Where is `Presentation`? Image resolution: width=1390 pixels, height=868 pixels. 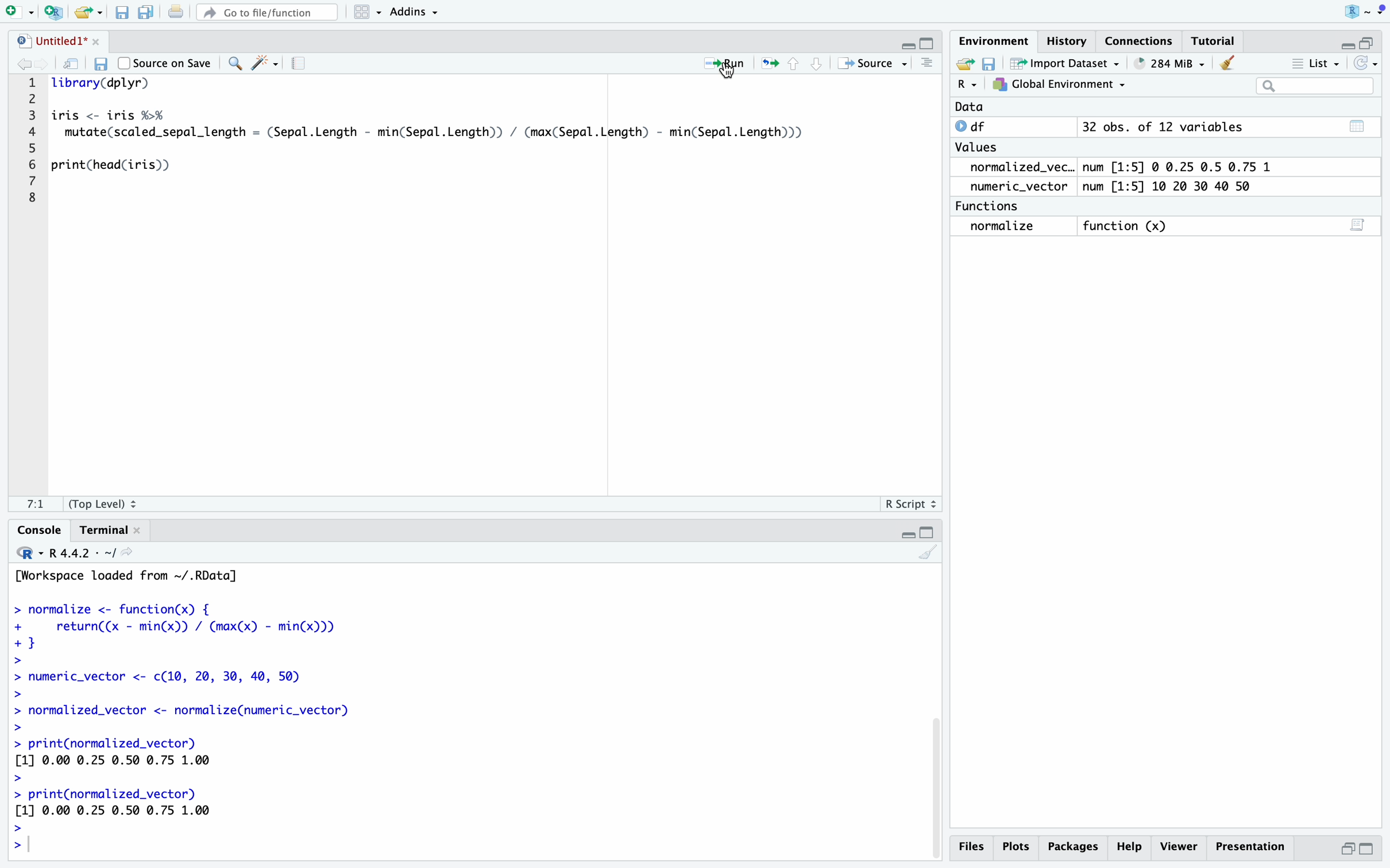
Presentation is located at coordinates (1252, 845).